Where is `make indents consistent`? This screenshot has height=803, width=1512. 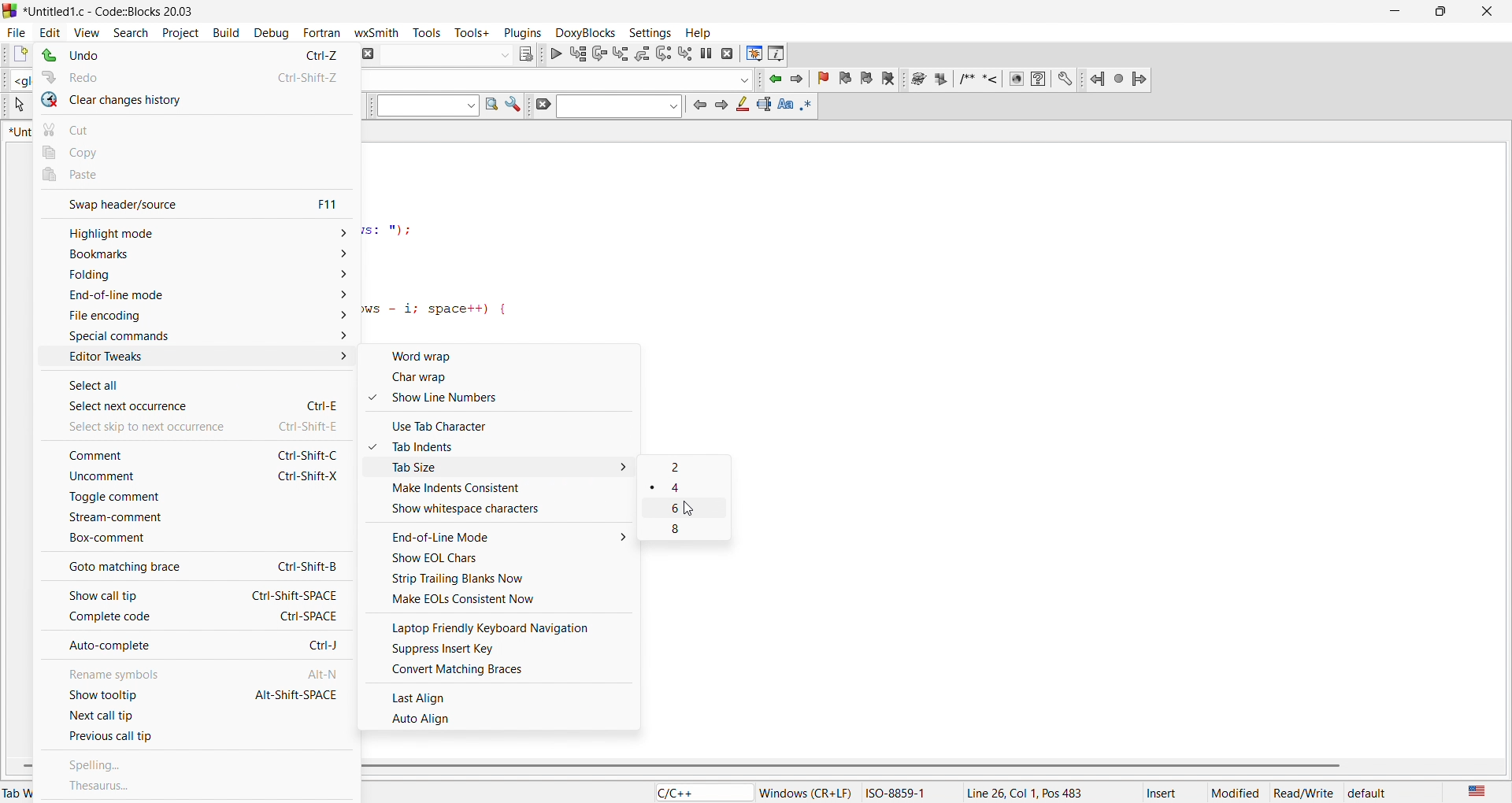
make indents consistent is located at coordinates (507, 490).